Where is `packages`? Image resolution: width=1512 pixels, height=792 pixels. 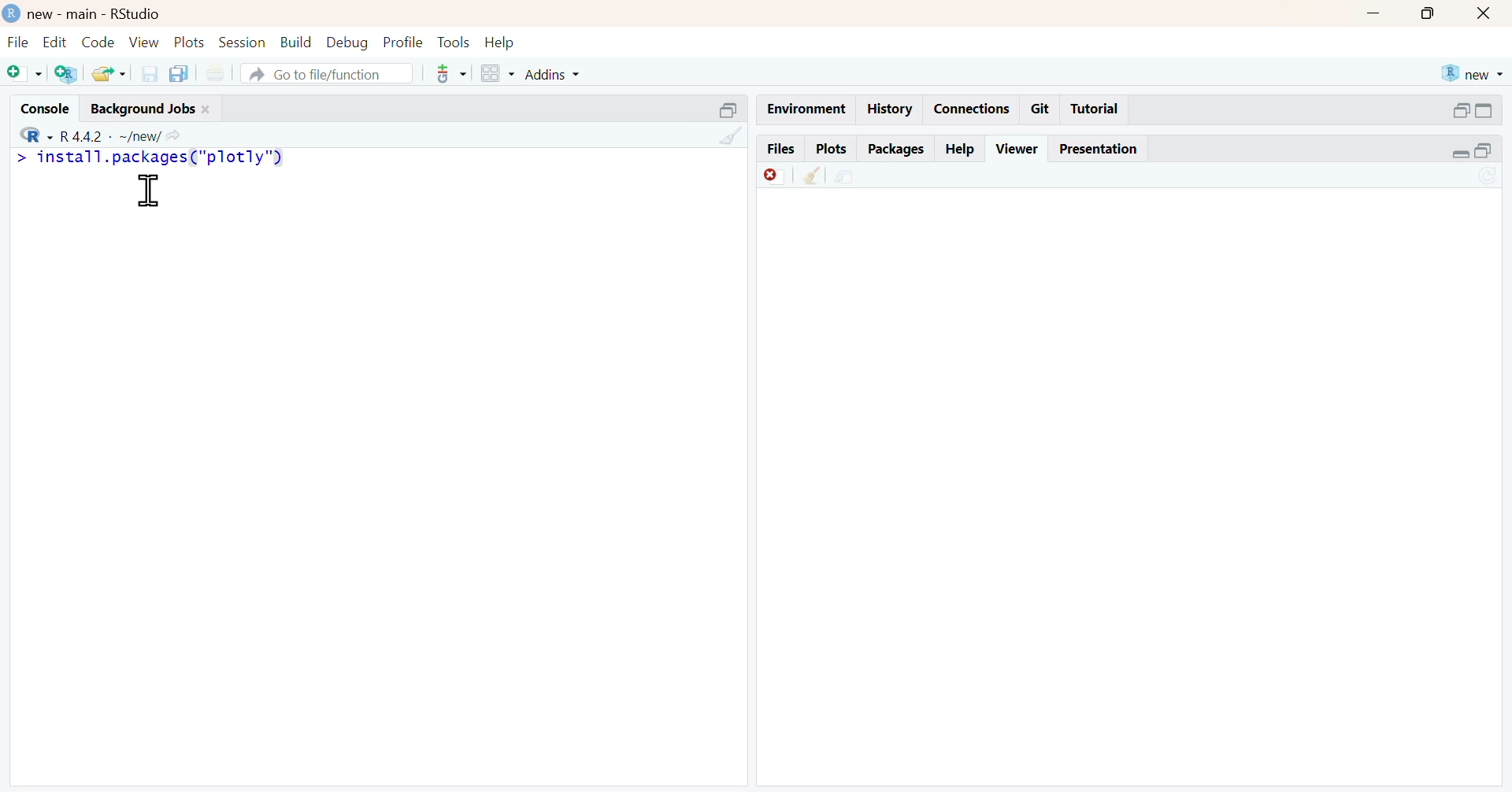 packages is located at coordinates (895, 150).